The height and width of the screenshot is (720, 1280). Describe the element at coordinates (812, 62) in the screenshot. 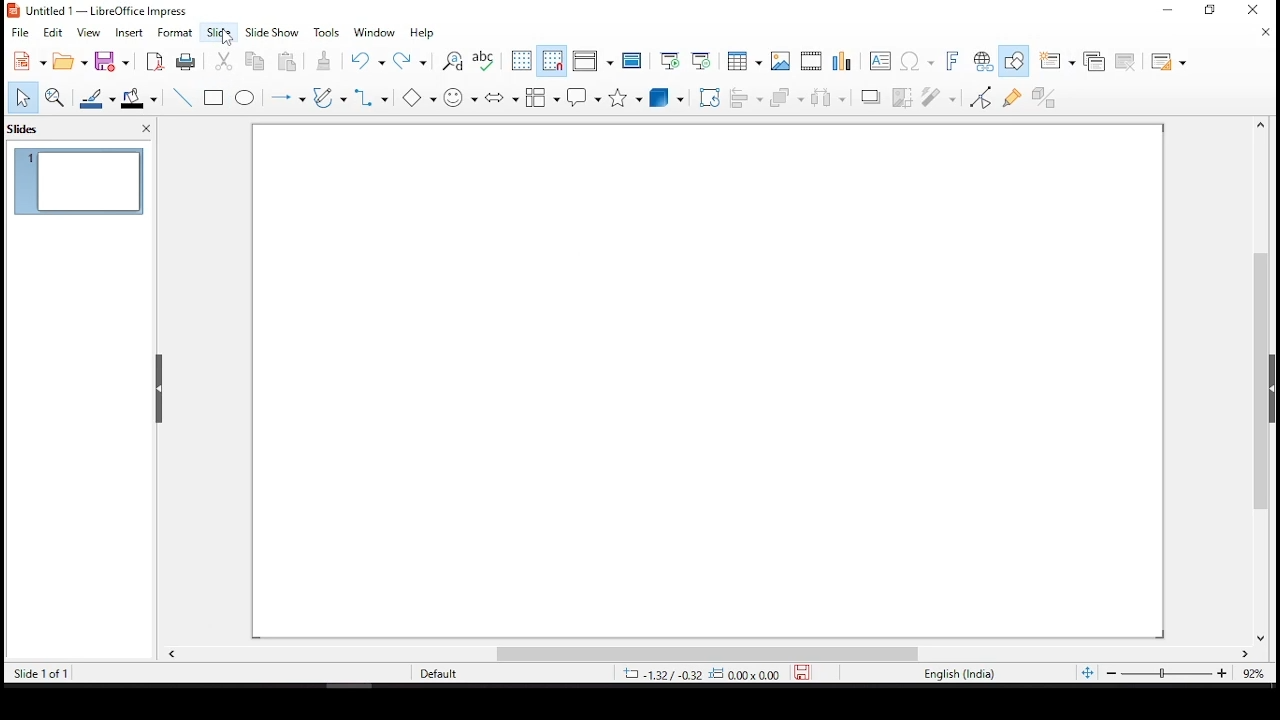

I see `insert audio or video` at that location.